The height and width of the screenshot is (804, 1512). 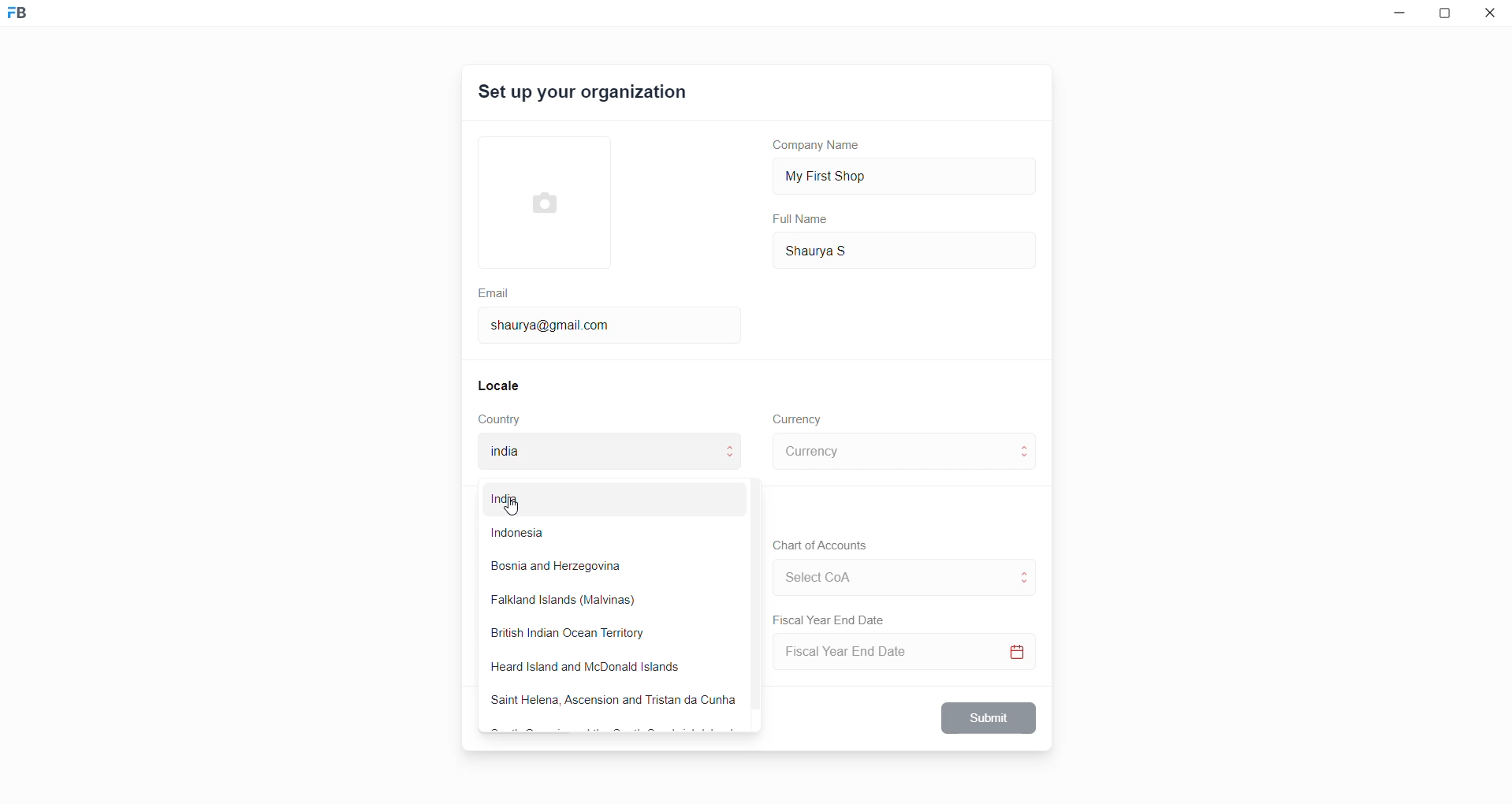 What do you see at coordinates (594, 533) in the screenshot?
I see `Indonesia` at bounding box center [594, 533].